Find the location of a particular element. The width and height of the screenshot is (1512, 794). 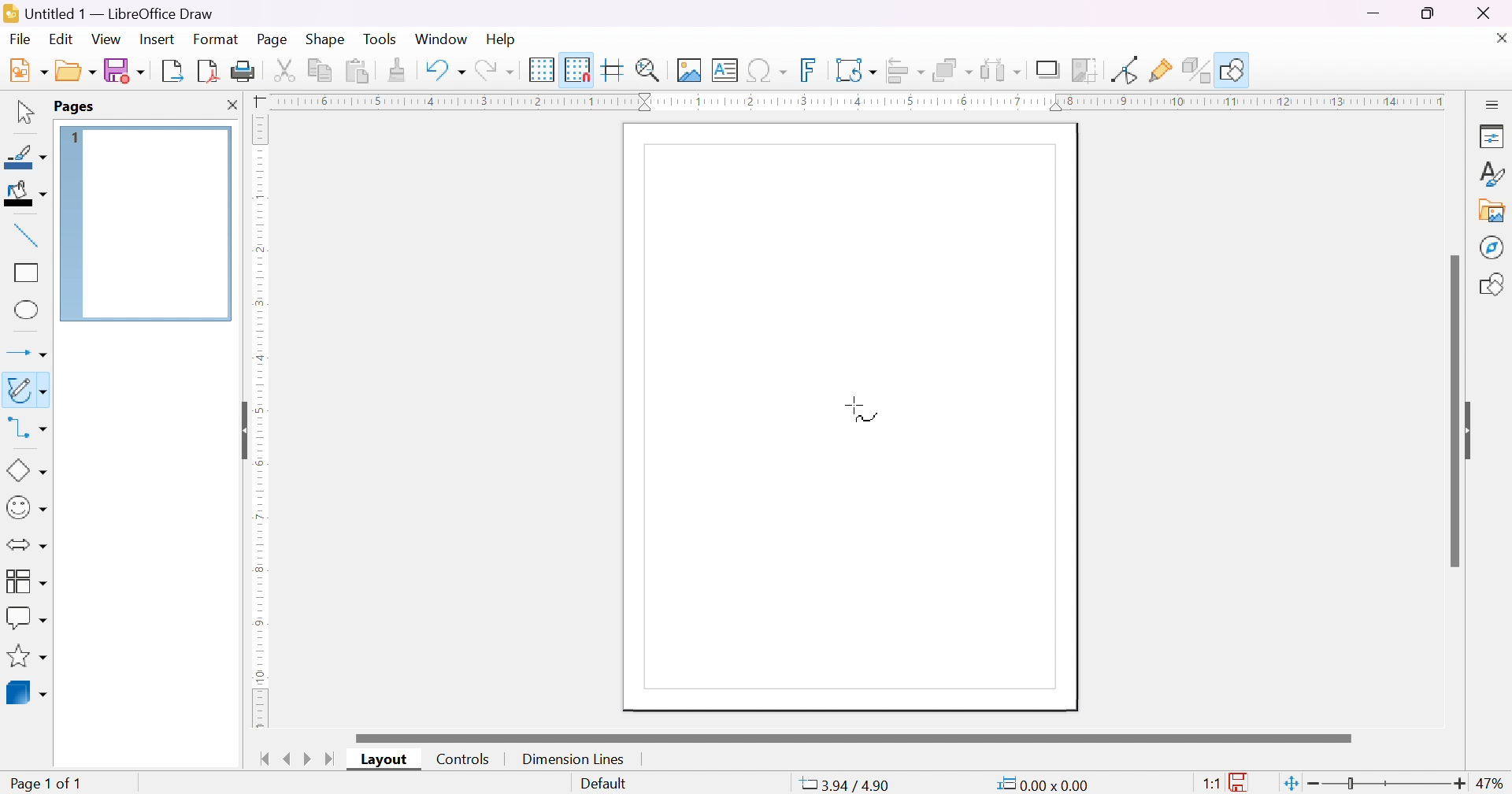

restore down is located at coordinates (1429, 13).